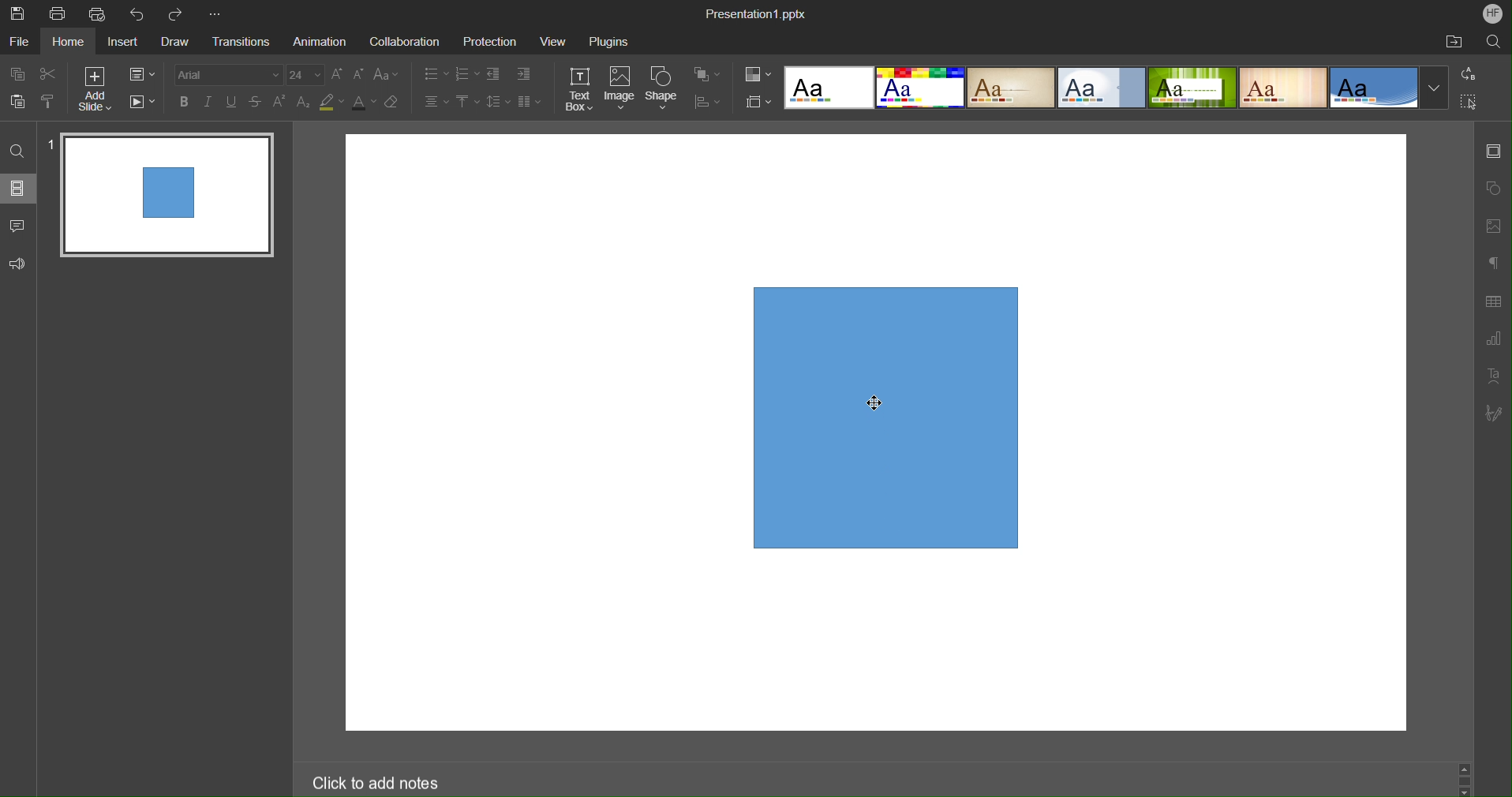 Image resolution: width=1512 pixels, height=797 pixels. What do you see at coordinates (436, 101) in the screenshot?
I see `Alignment` at bounding box center [436, 101].